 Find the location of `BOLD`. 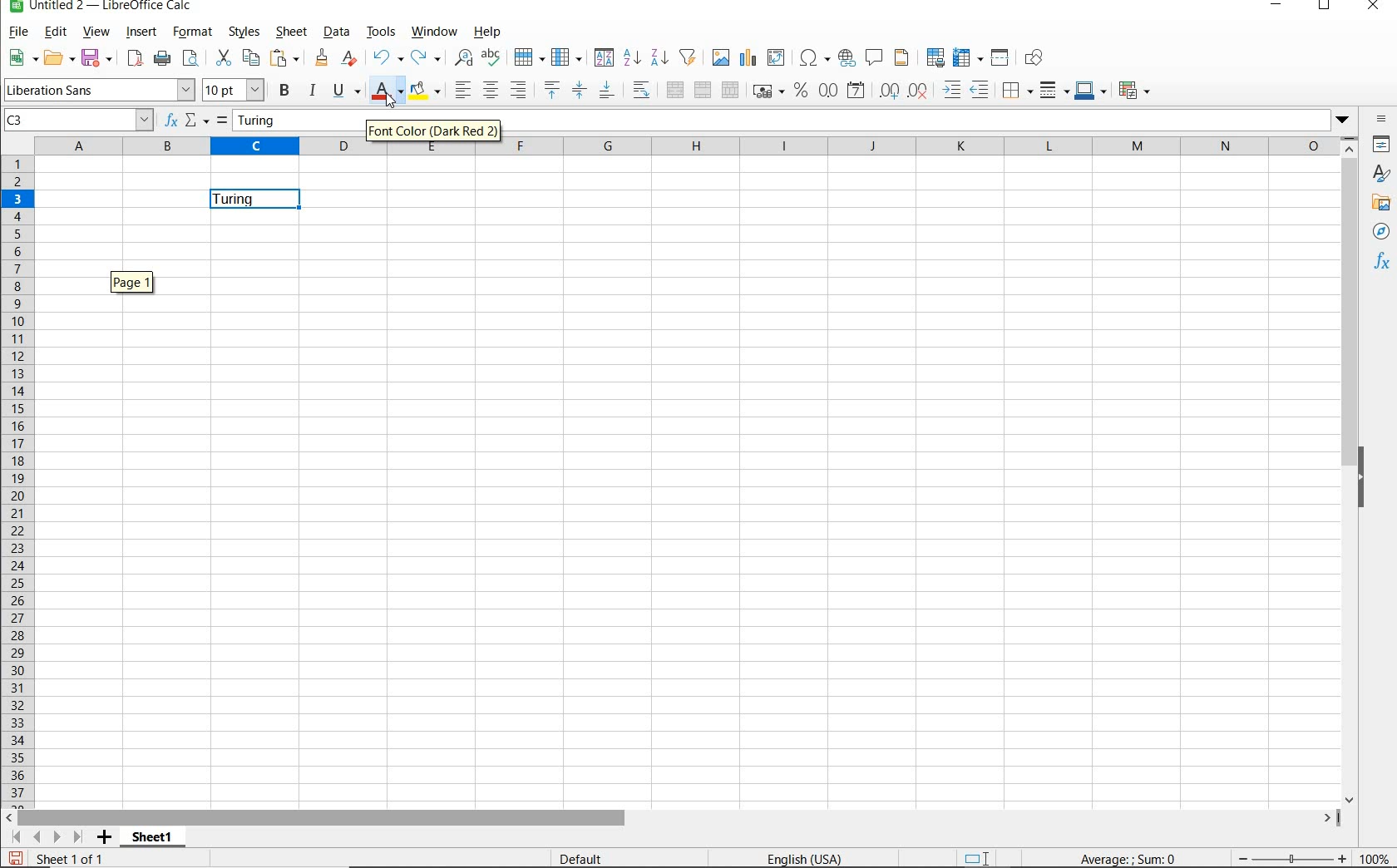

BOLD is located at coordinates (287, 89).